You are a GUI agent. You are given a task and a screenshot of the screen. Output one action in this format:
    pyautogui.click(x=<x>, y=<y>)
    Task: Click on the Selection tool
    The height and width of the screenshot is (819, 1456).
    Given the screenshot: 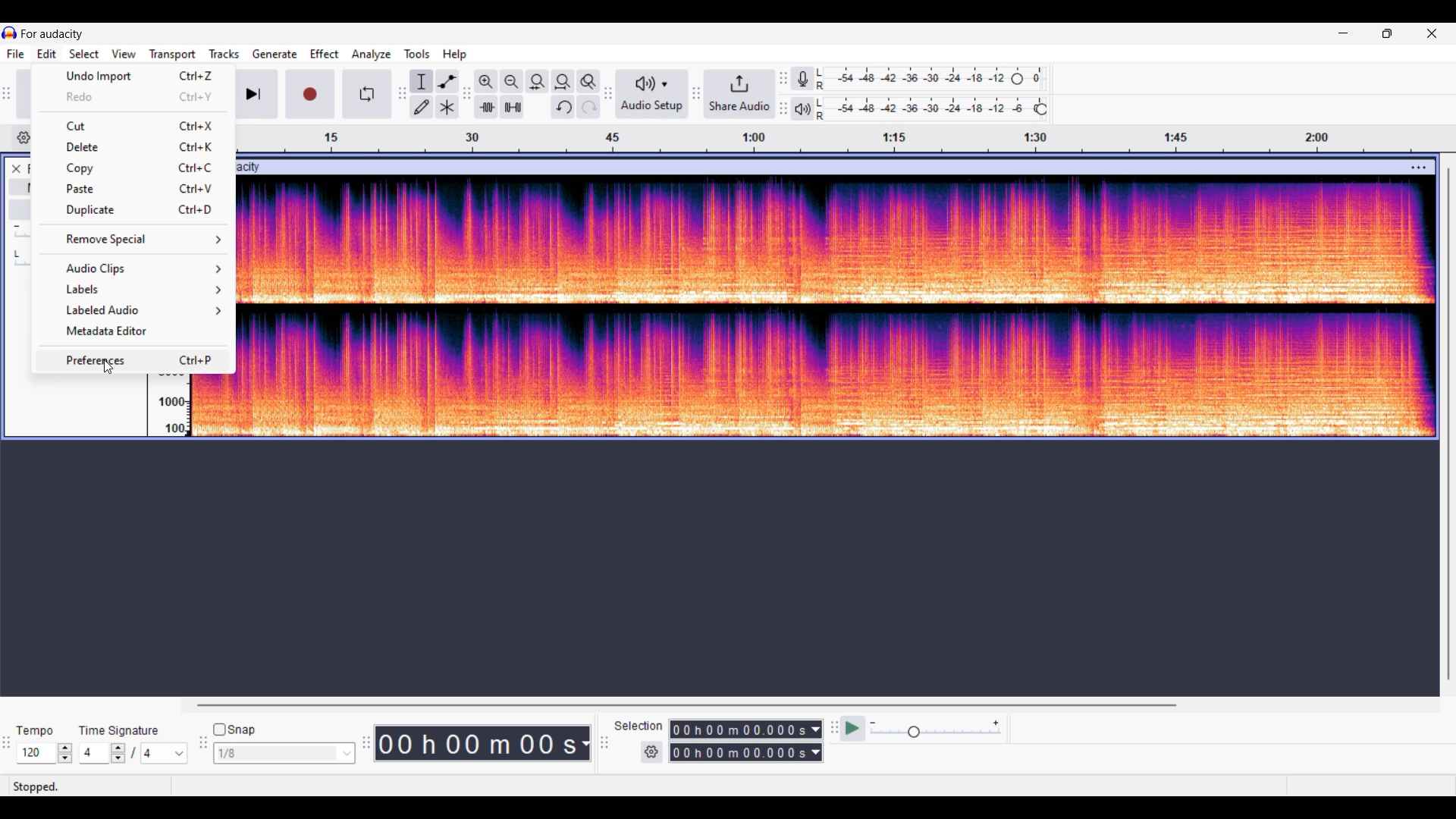 What is the action you would take?
    pyautogui.click(x=422, y=82)
    